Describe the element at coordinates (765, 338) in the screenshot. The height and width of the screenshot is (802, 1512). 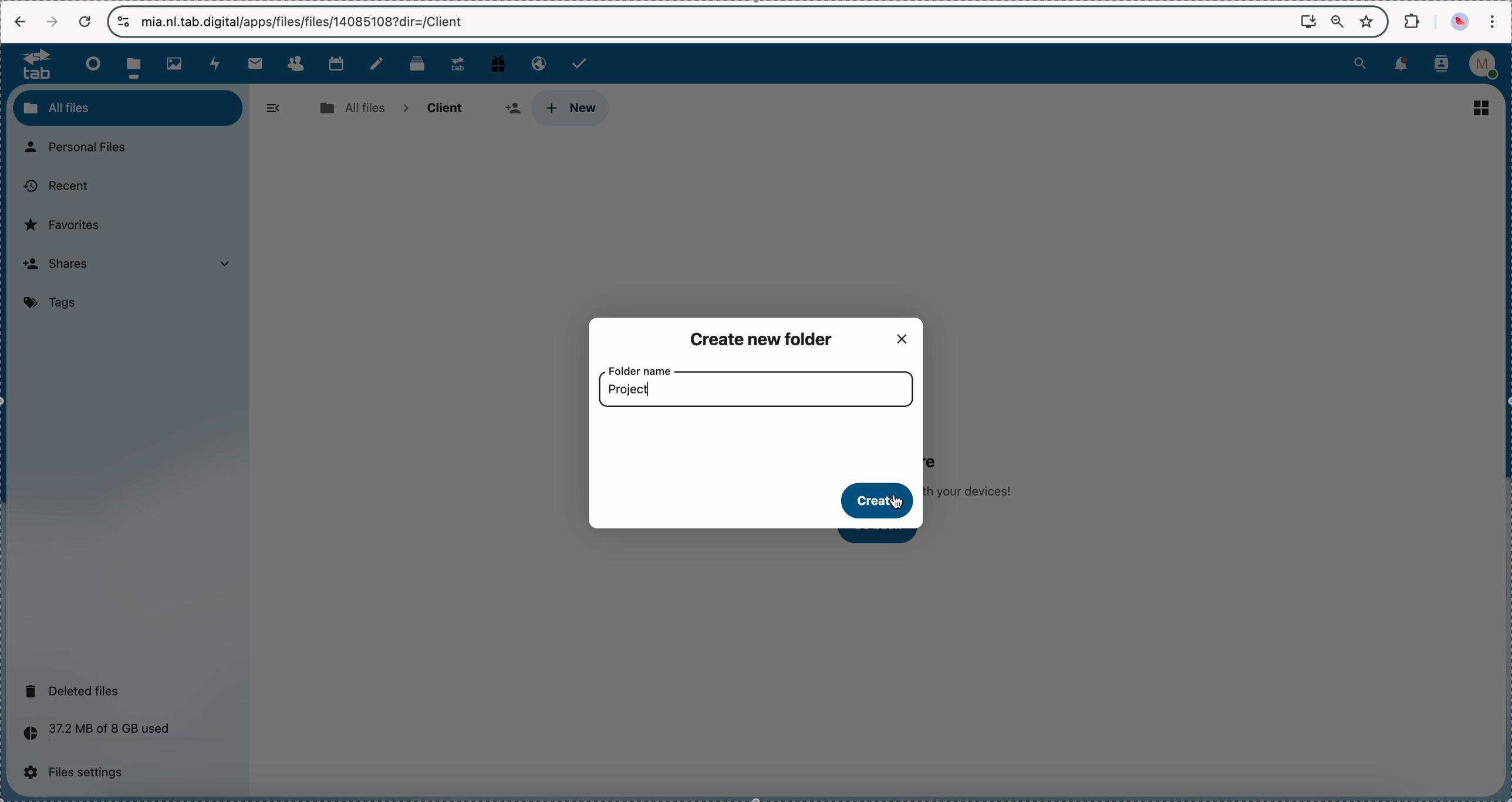
I see `create new folder` at that location.